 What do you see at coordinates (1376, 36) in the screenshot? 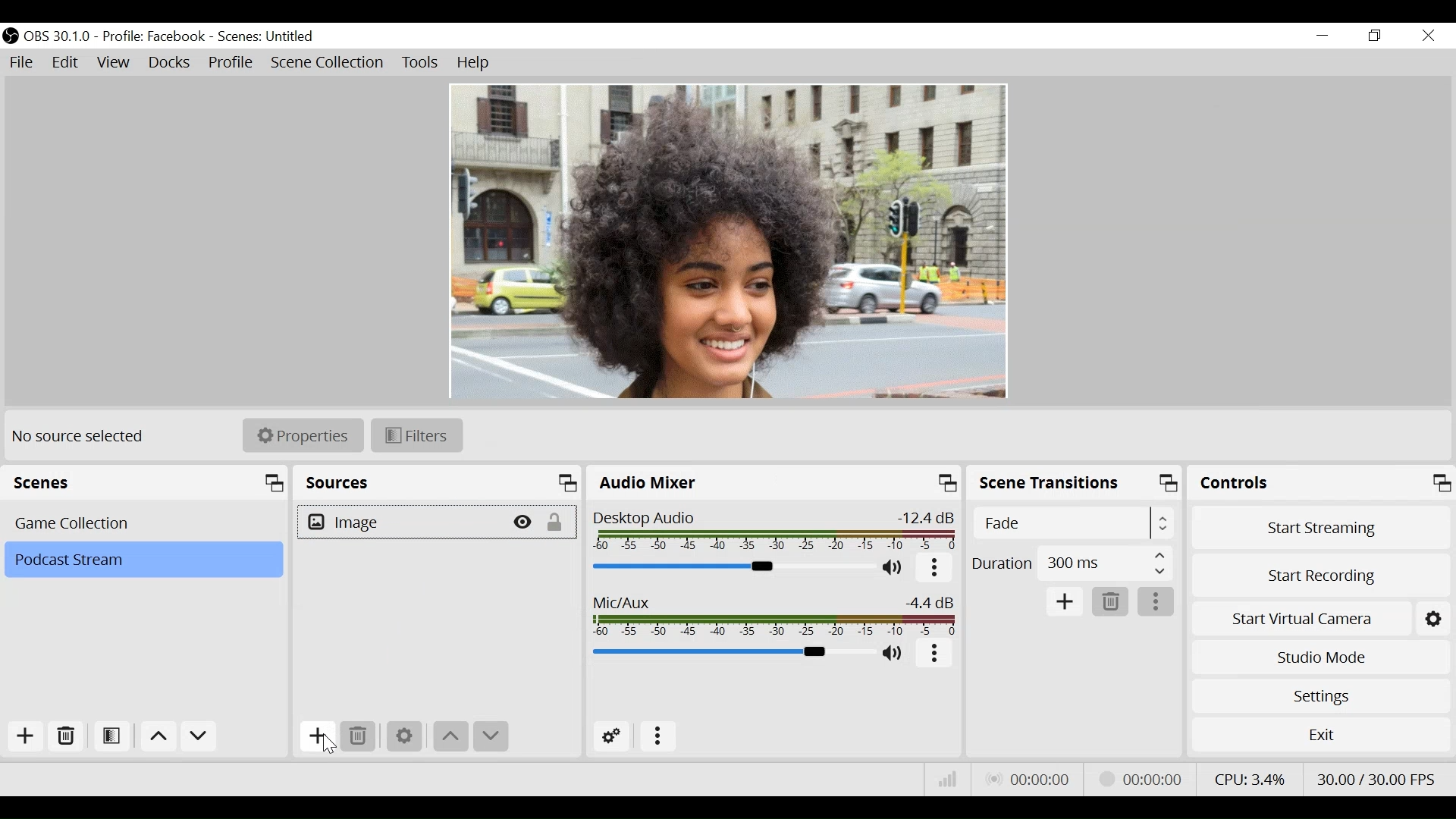
I see `Restore` at bounding box center [1376, 36].